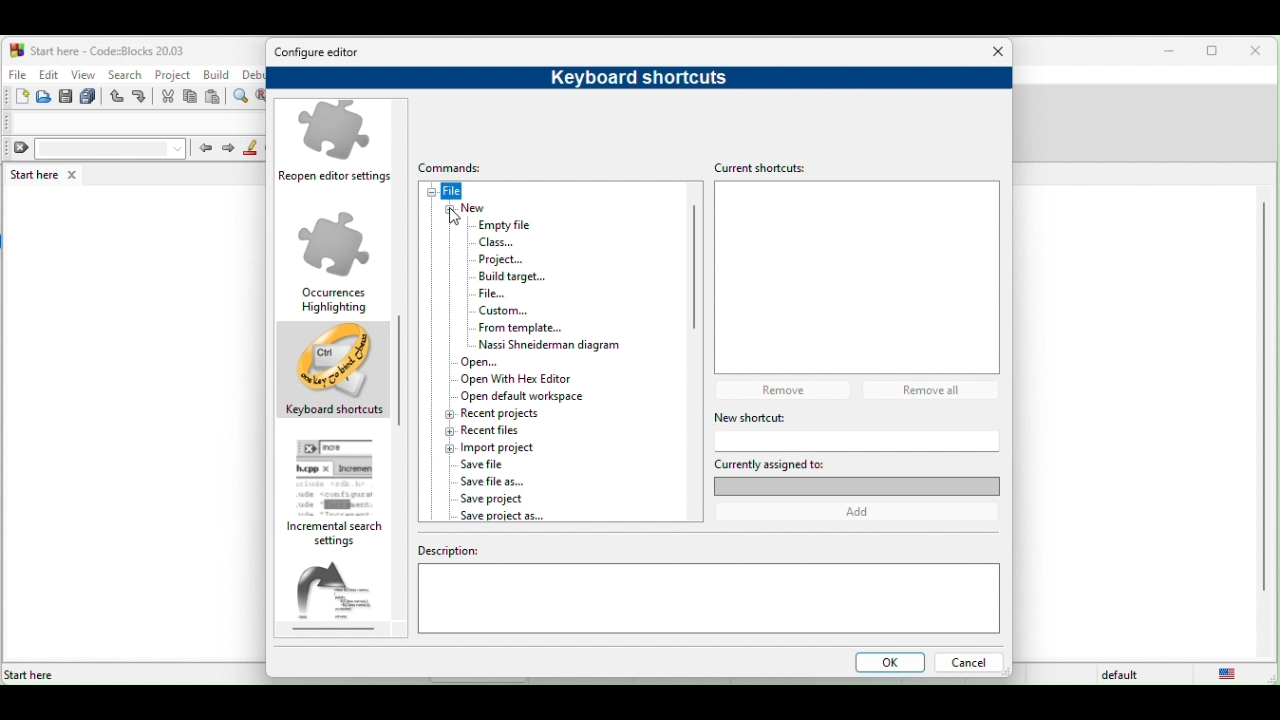  Describe the element at coordinates (243, 97) in the screenshot. I see `find ` at that location.